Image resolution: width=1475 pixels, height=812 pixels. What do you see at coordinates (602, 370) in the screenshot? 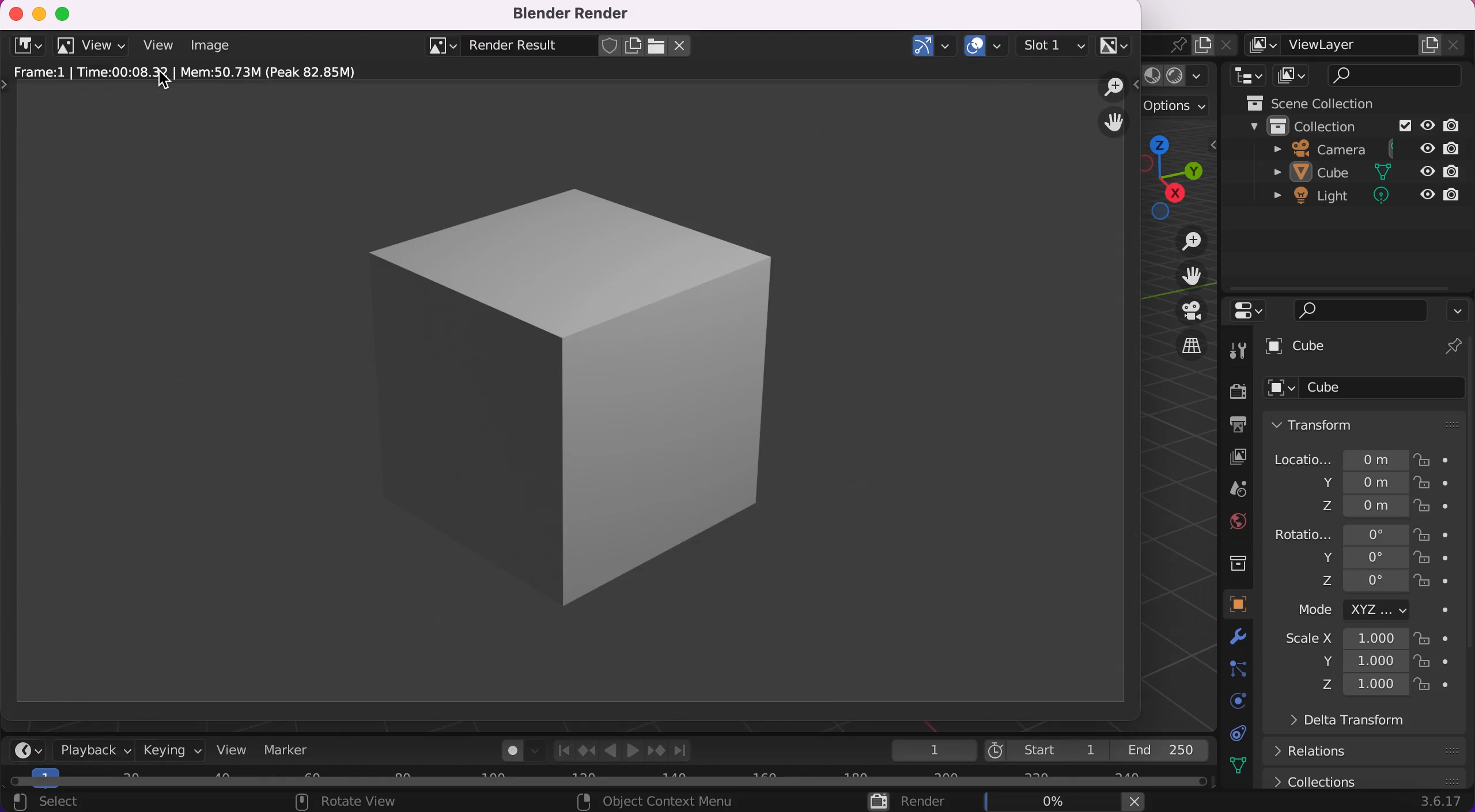
I see `rendered image` at bounding box center [602, 370].